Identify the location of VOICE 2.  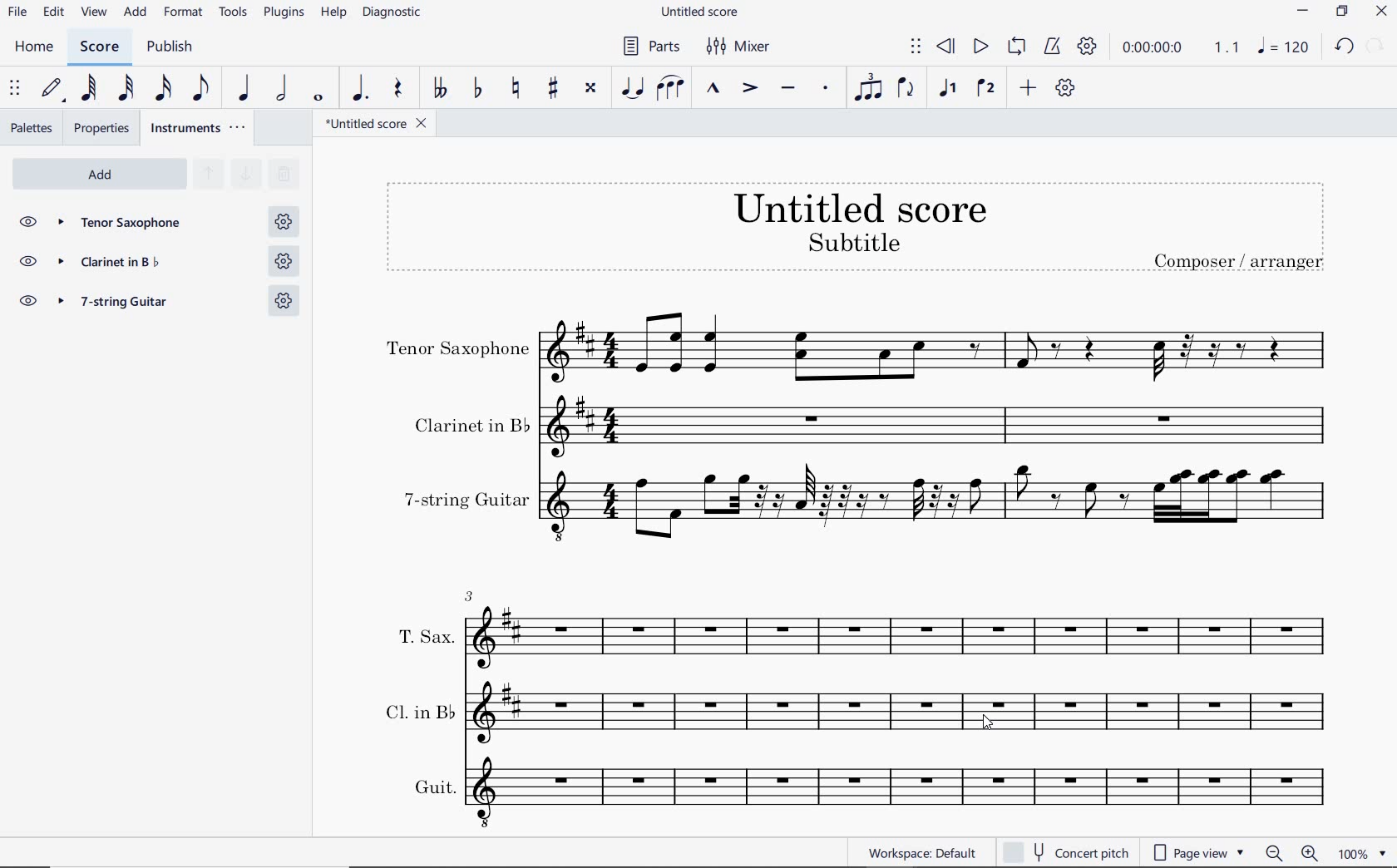
(988, 89).